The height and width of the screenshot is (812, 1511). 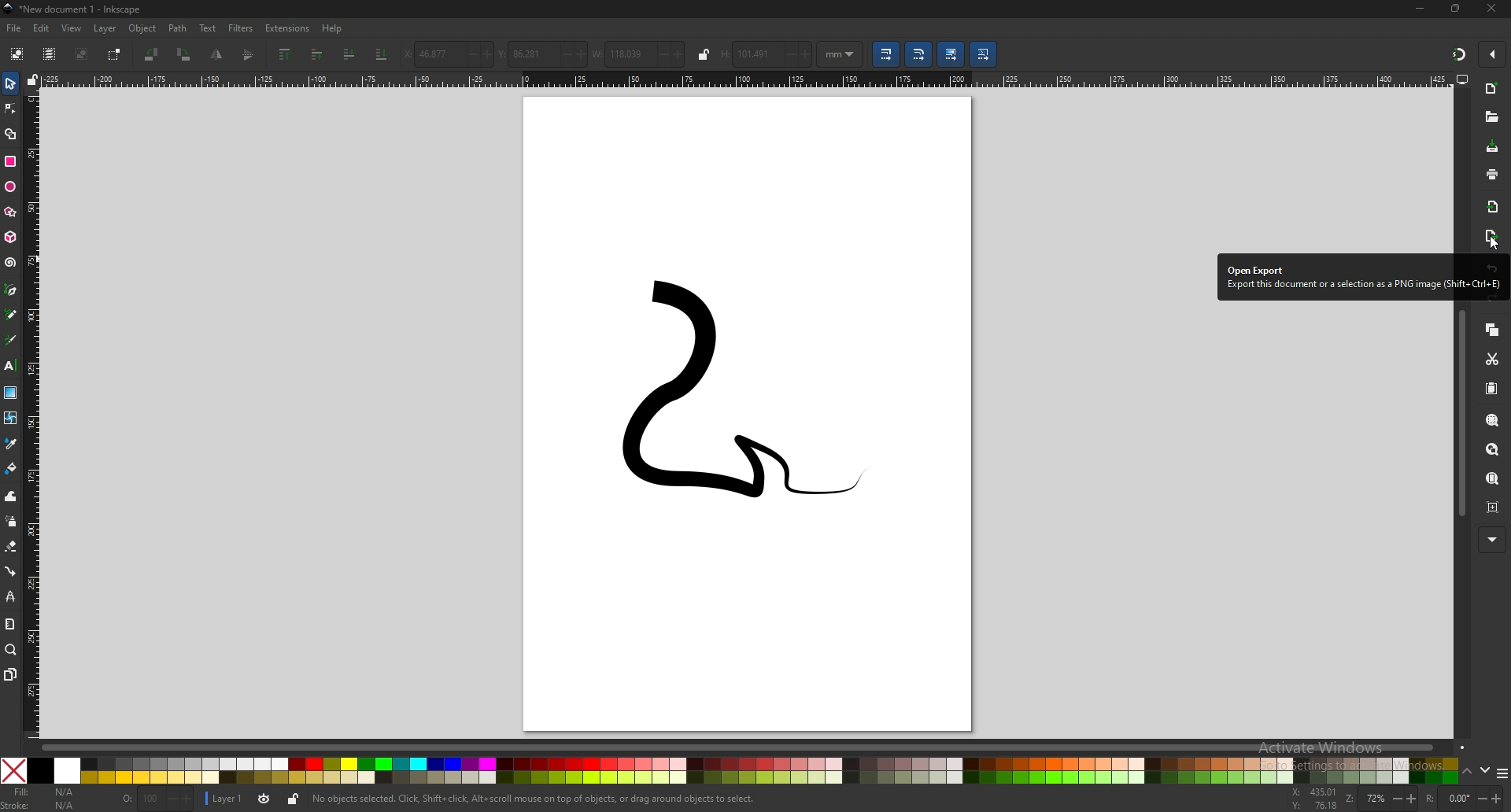 I want to click on text, so click(x=11, y=366).